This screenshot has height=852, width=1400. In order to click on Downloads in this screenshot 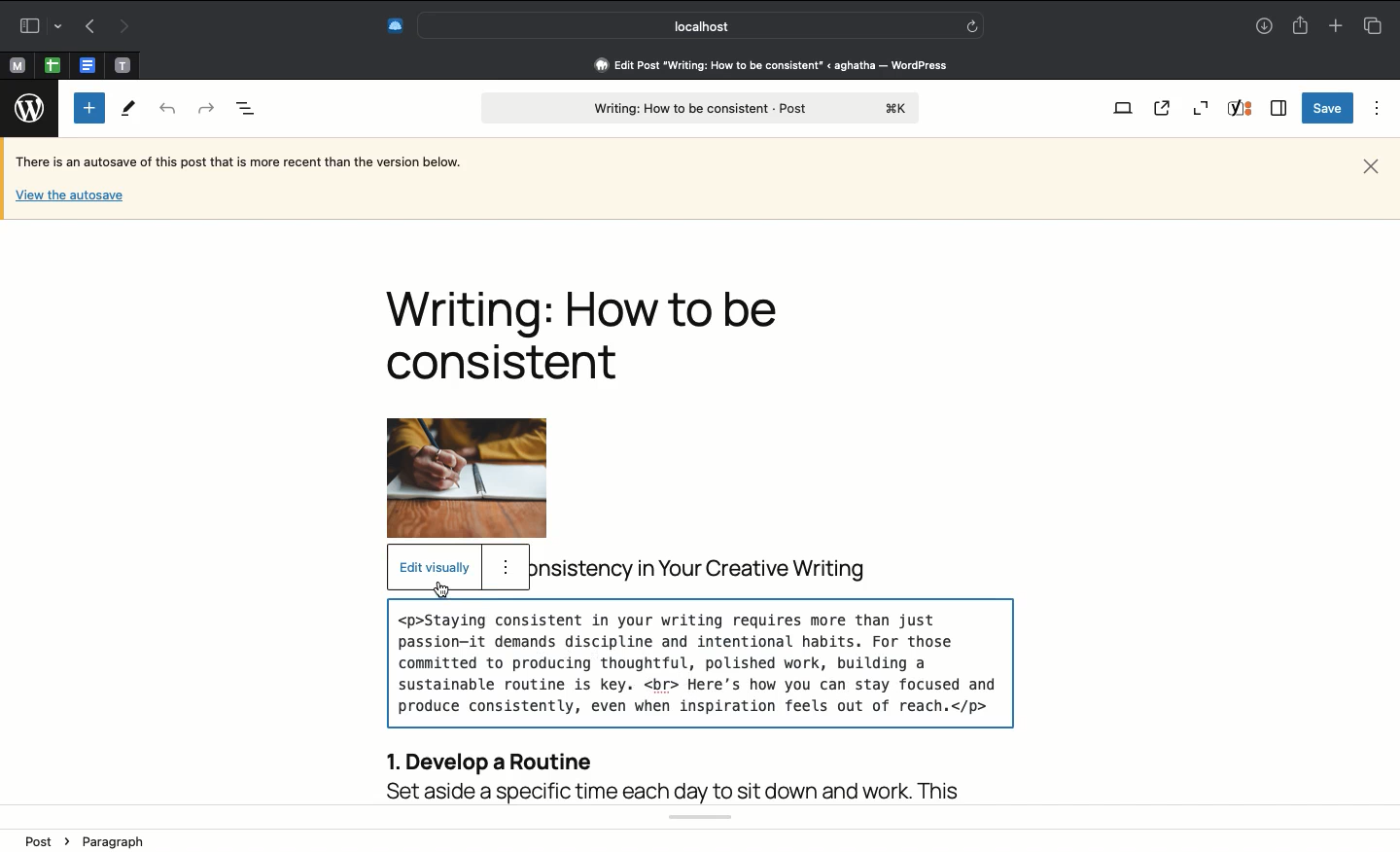, I will do `click(1264, 27)`.